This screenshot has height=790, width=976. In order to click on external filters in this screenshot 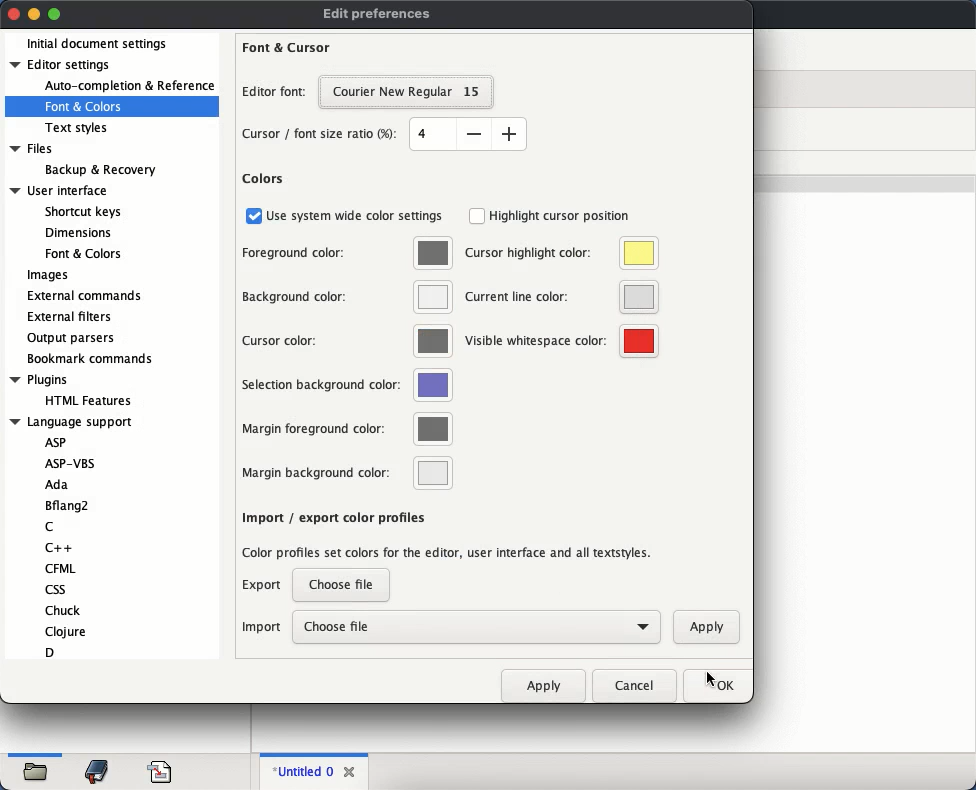, I will do `click(73, 317)`.